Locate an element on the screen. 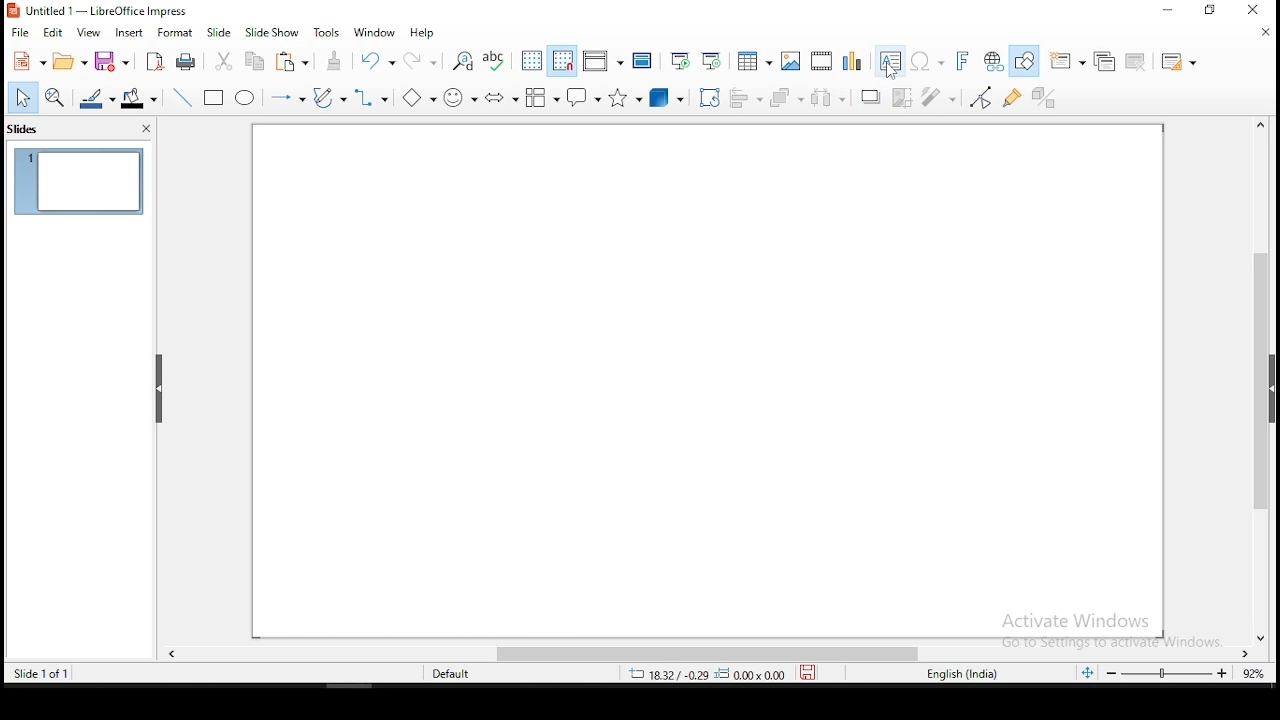  fill color is located at coordinates (141, 97).